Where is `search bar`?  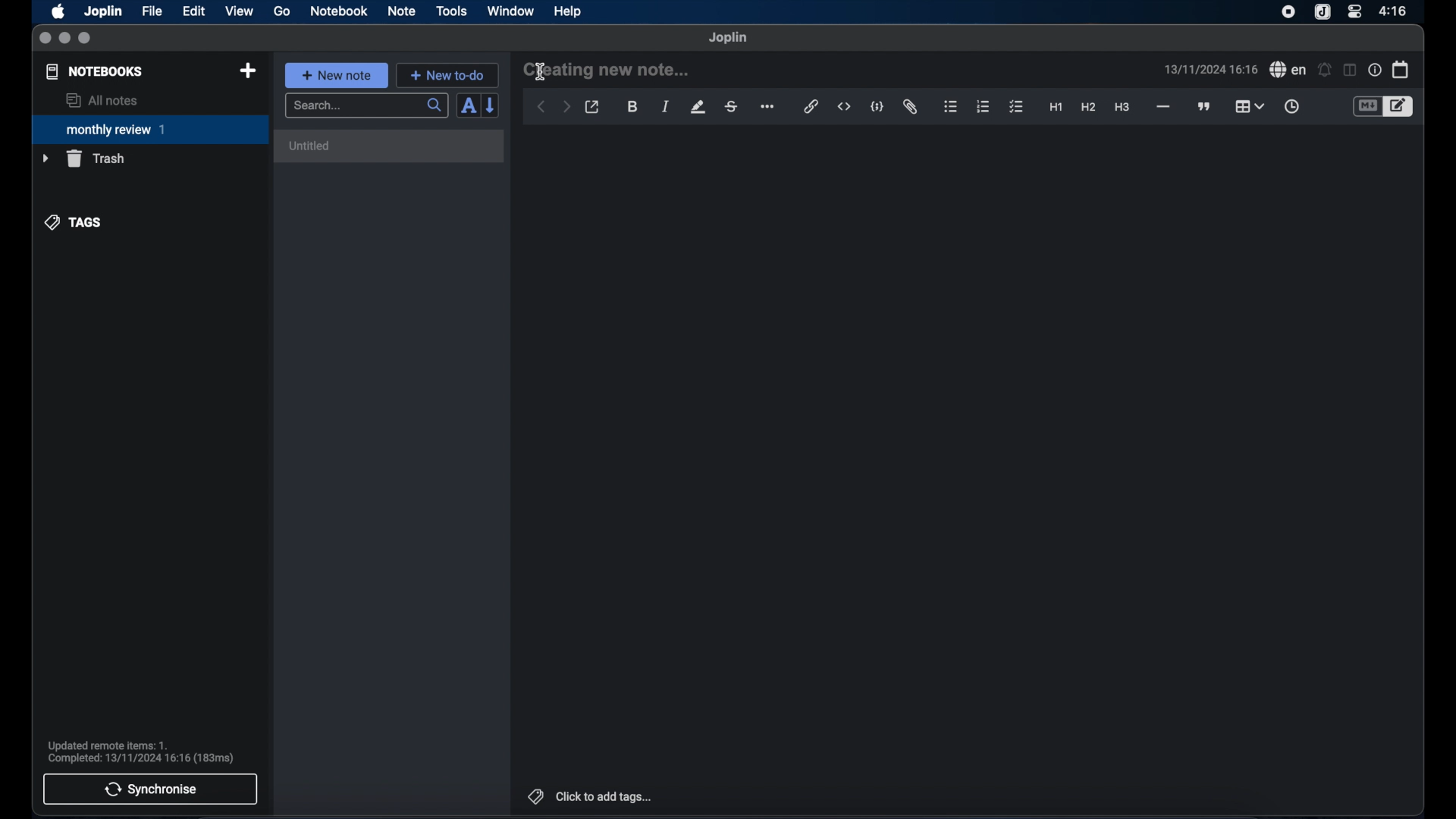 search bar is located at coordinates (366, 107).